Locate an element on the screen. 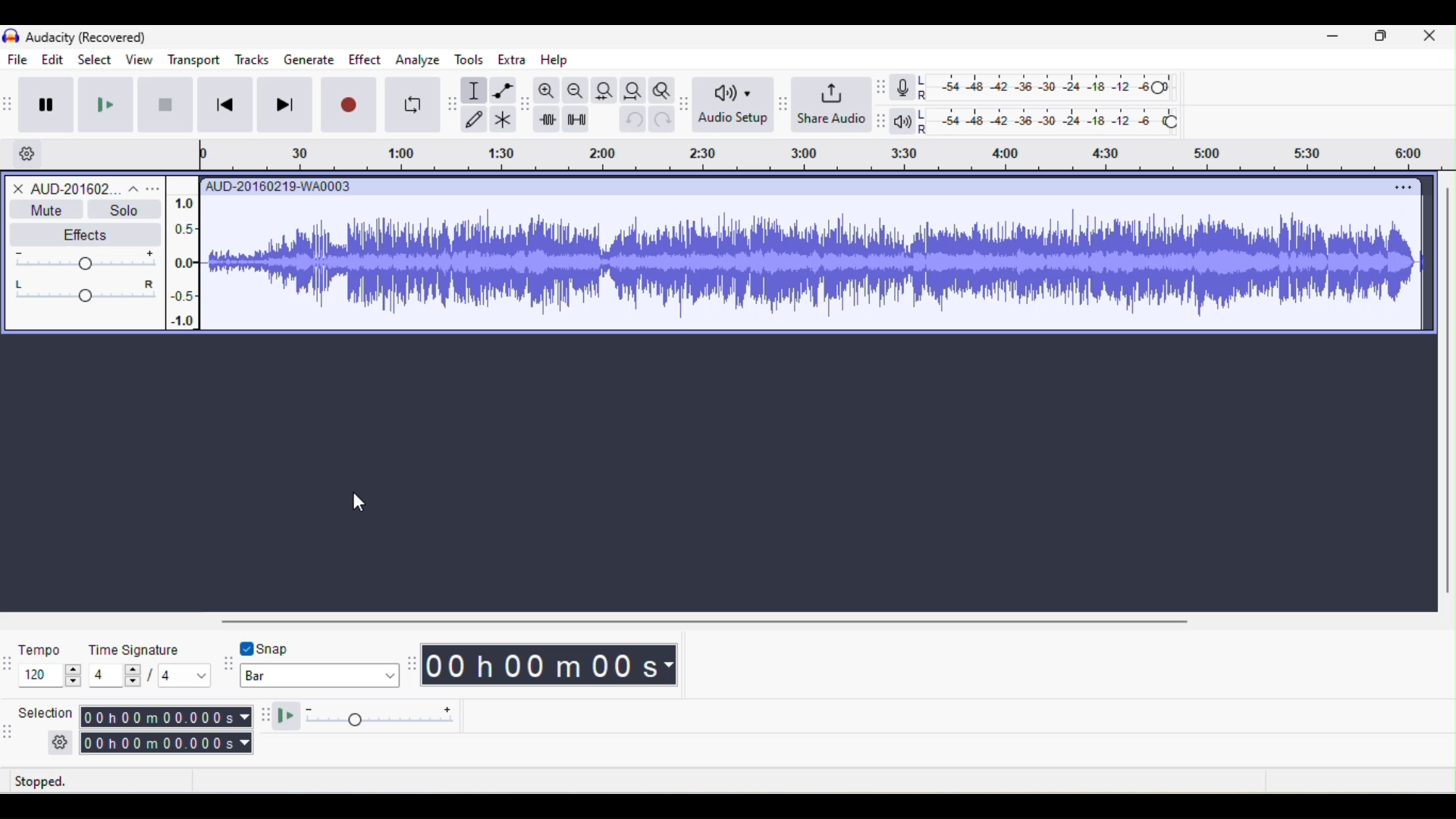 This screenshot has width=1456, height=819. audacity selection toolbar is located at coordinates (9, 730).